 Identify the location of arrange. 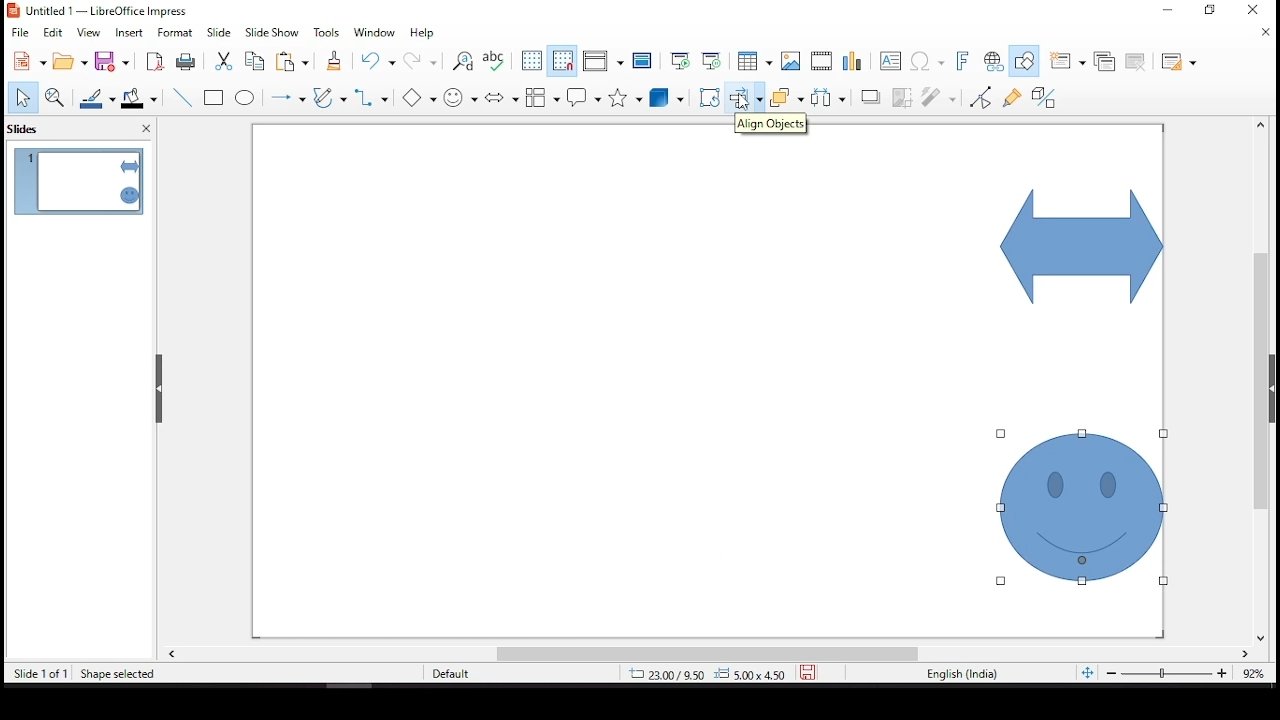
(785, 97).